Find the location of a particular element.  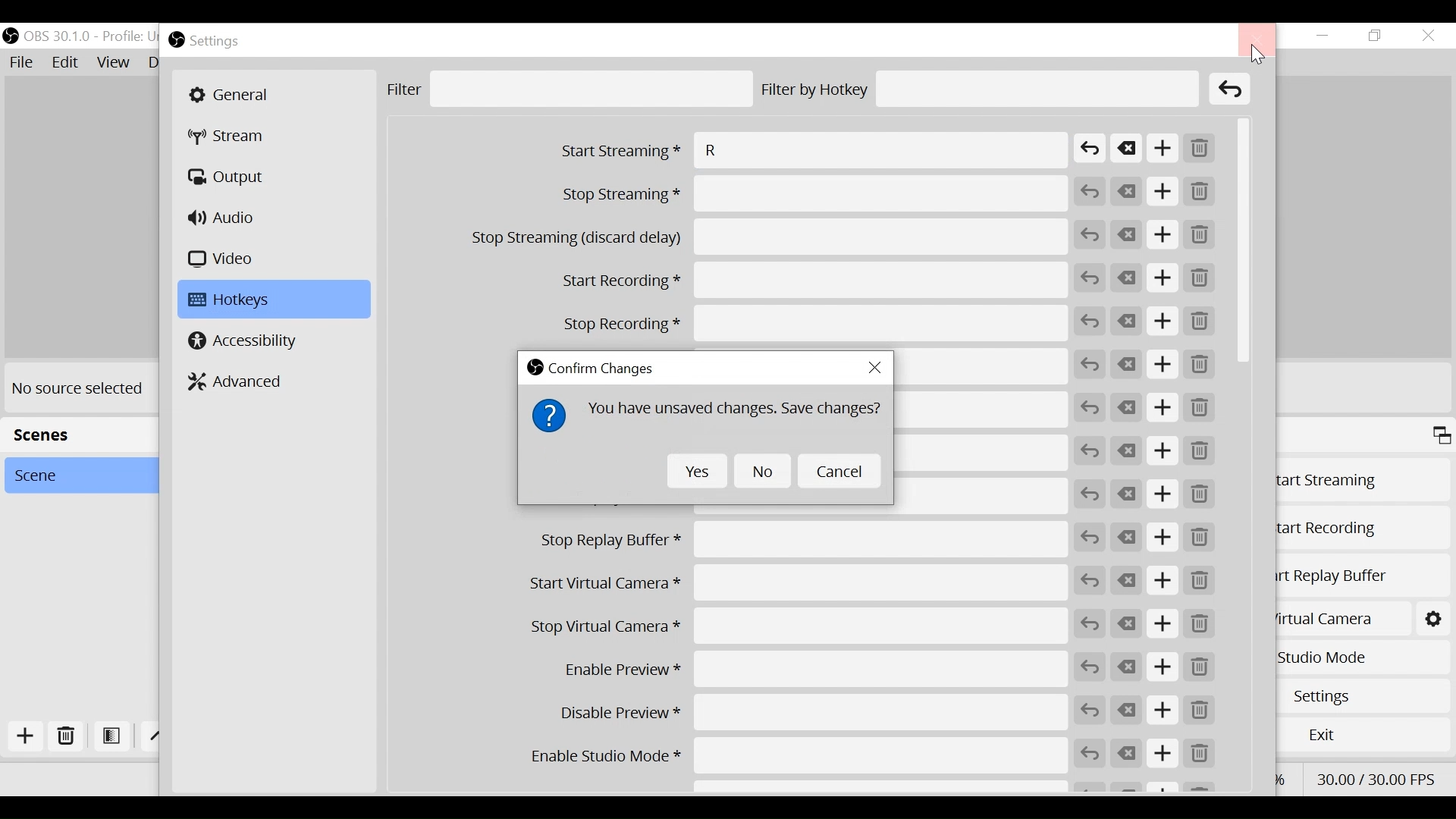

Remove is located at coordinates (1200, 495).